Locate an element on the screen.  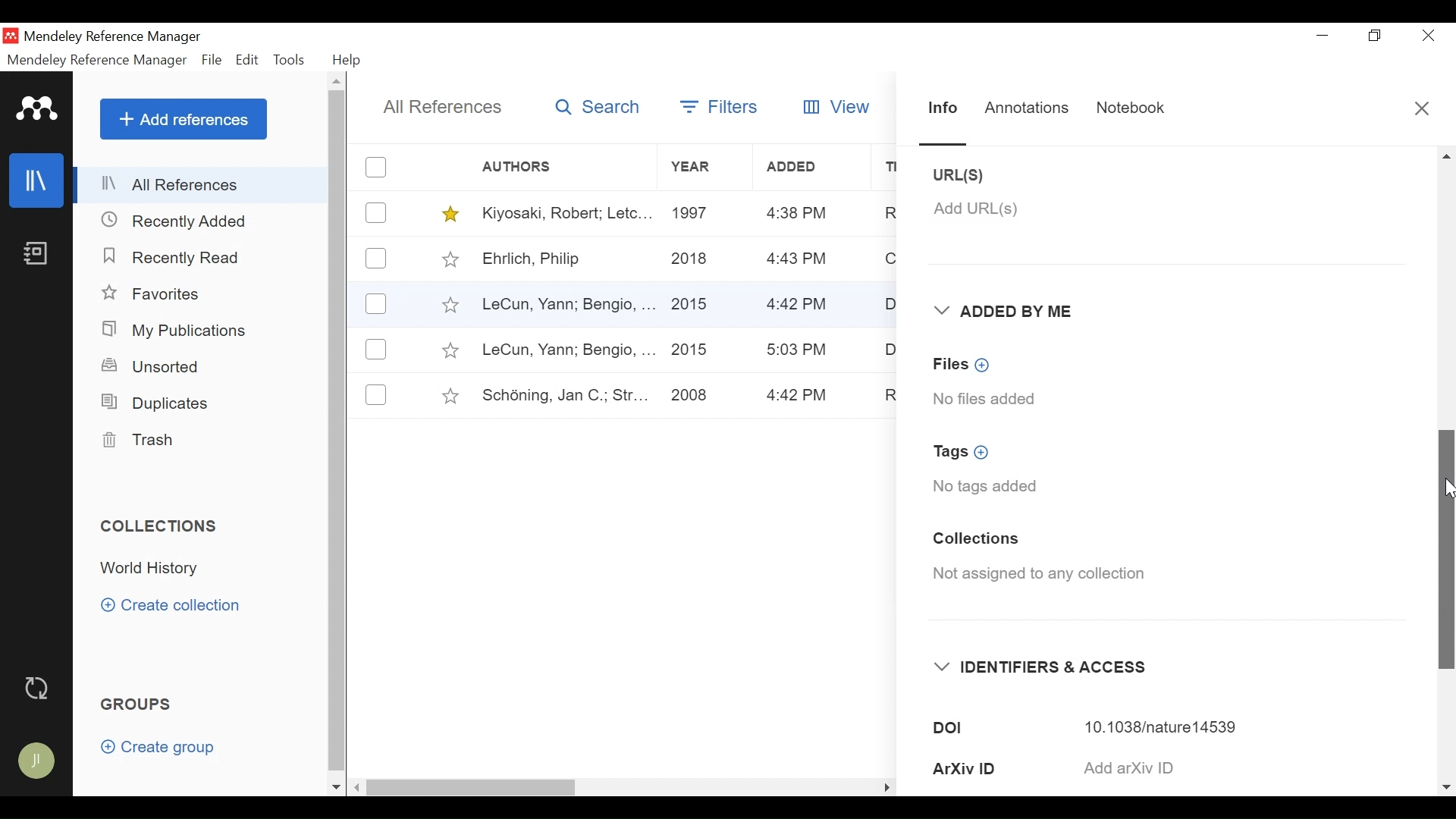
1997 is located at coordinates (694, 212).